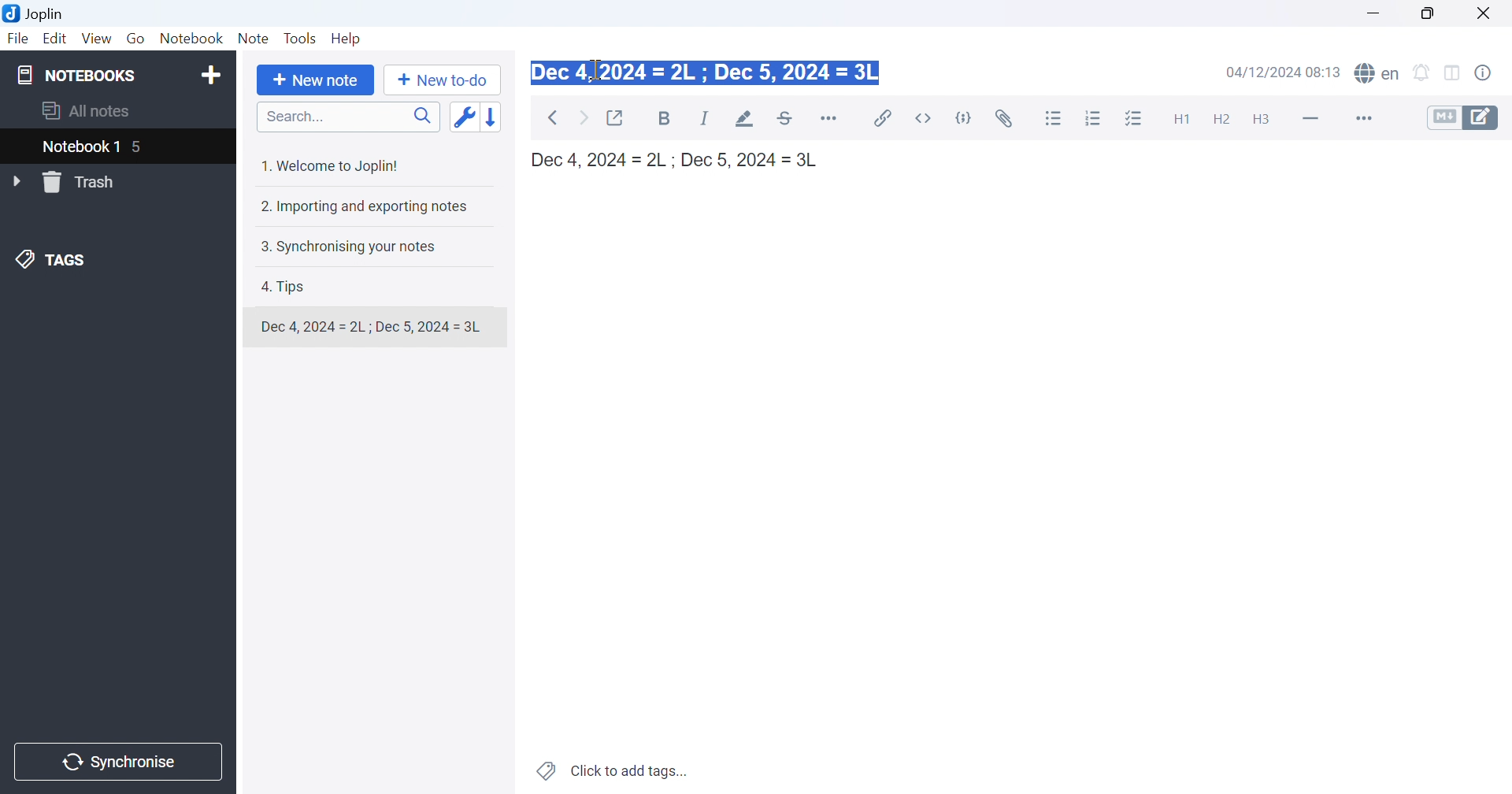 This screenshot has width=1512, height=794. What do you see at coordinates (80, 76) in the screenshot?
I see `NOTEBOOKS` at bounding box center [80, 76].